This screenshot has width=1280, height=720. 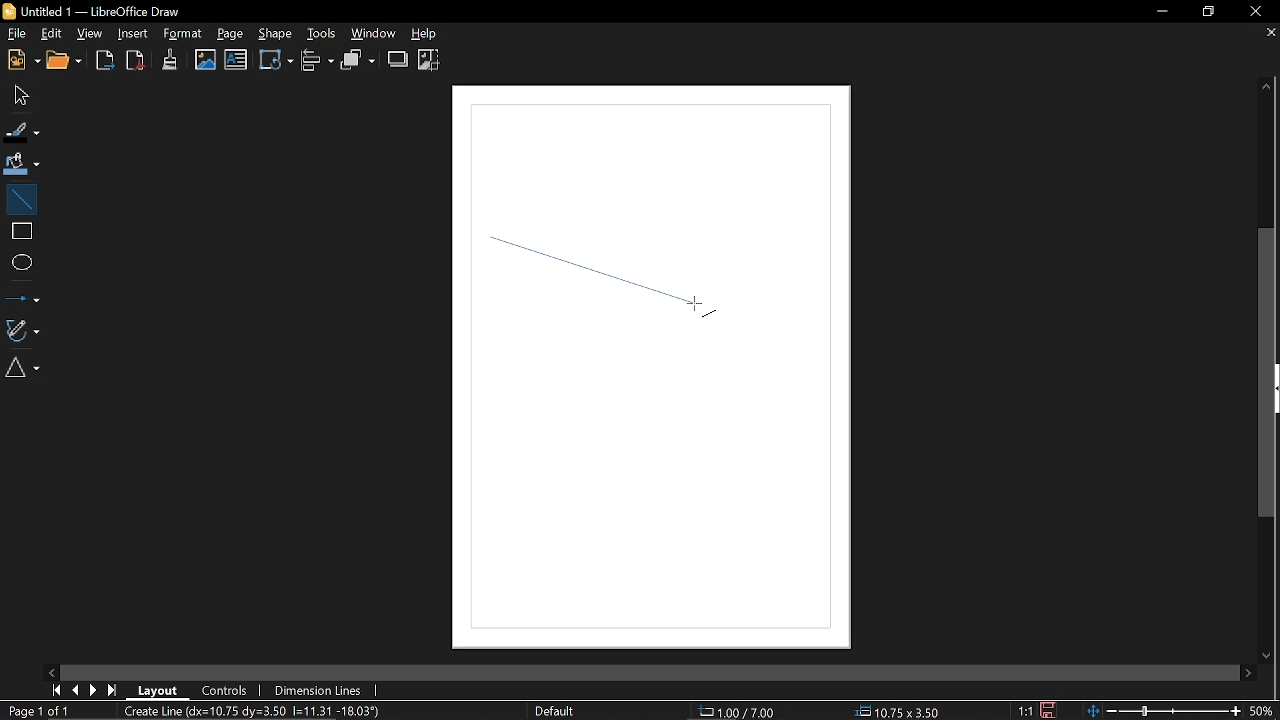 What do you see at coordinates (397, 59) in the screenshot?
I see `Shadow` at bounding box center [397, 59].